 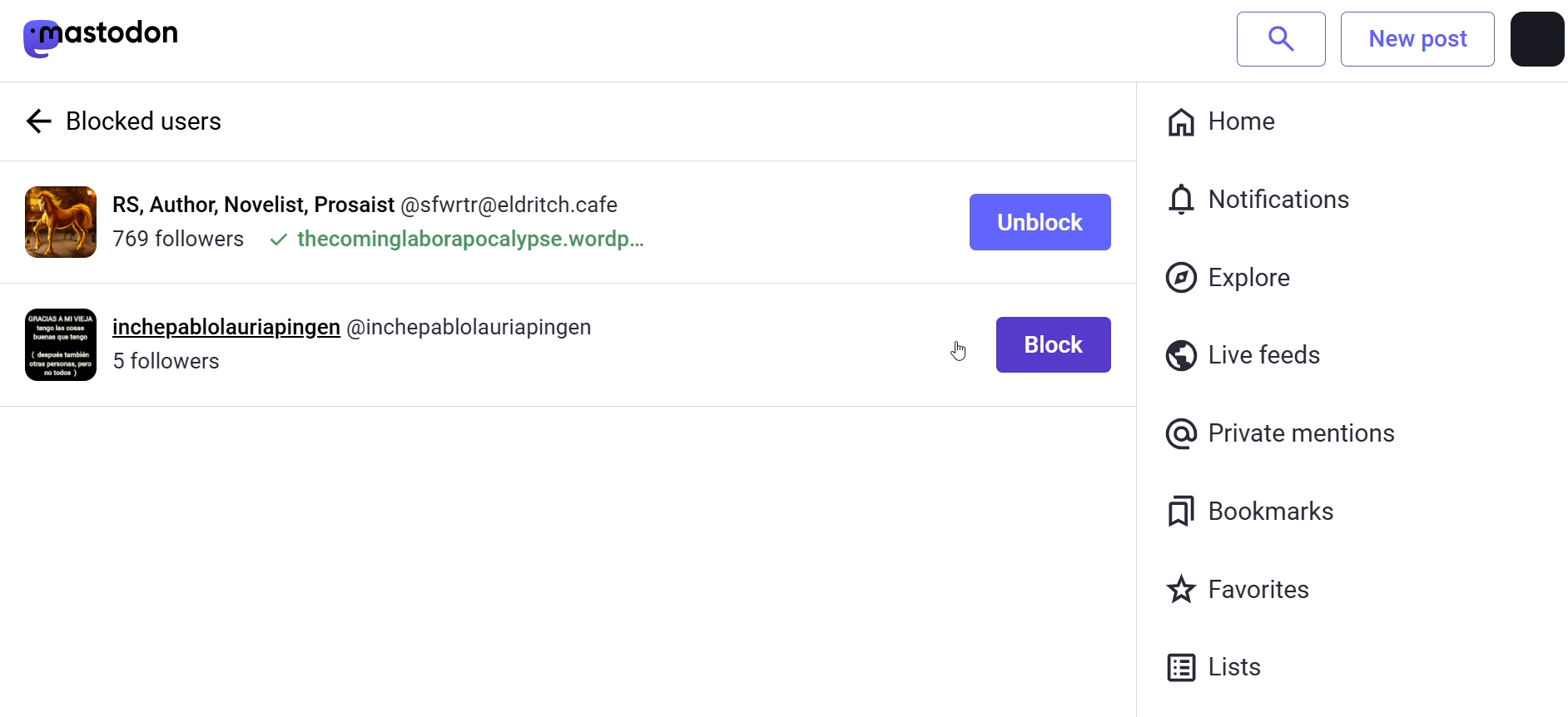 I want to click on profile picture, so click(x=61, y=222).